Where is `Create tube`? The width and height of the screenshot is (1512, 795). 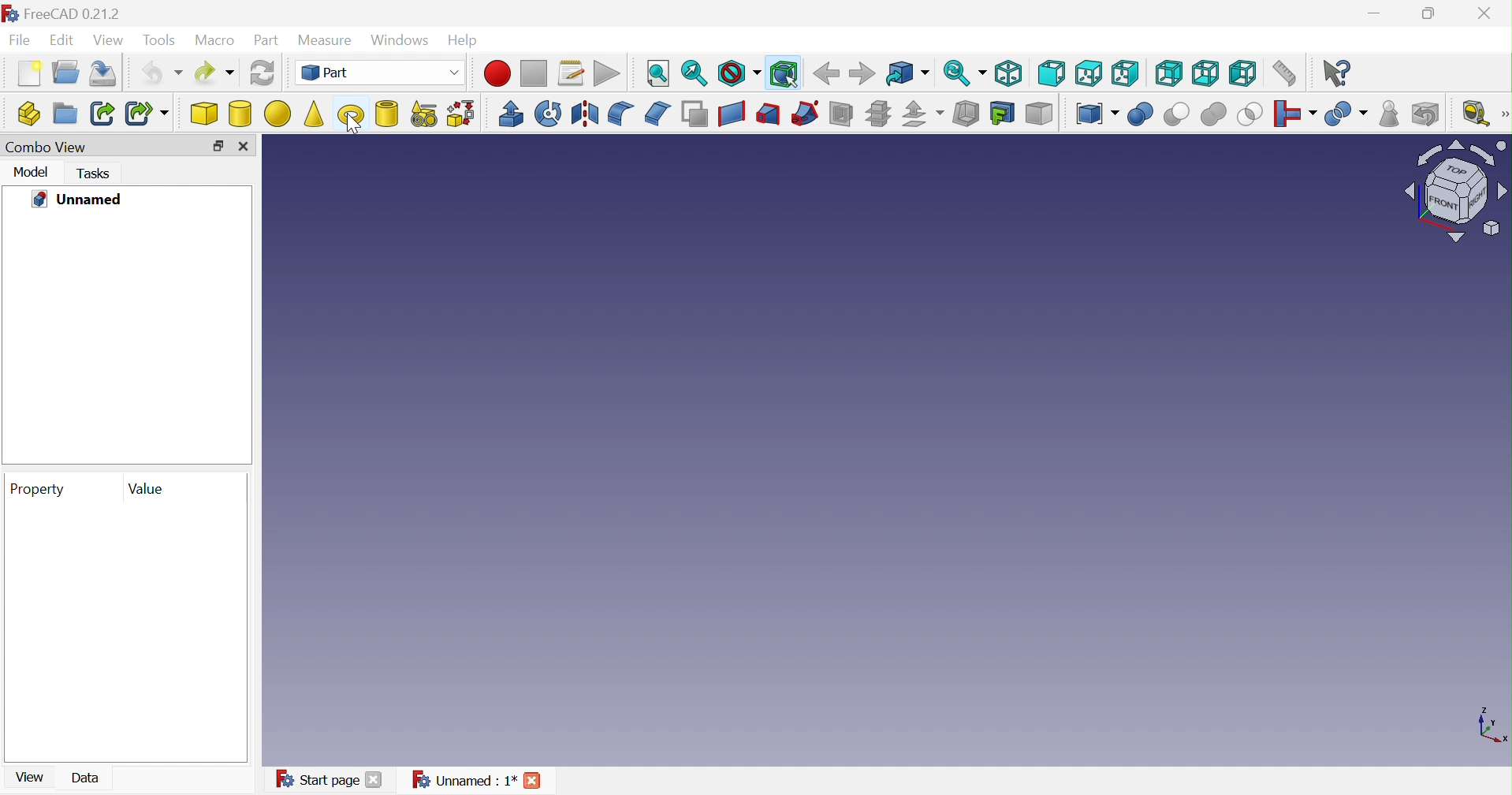
Create tube is located at coordinates (389, 115).